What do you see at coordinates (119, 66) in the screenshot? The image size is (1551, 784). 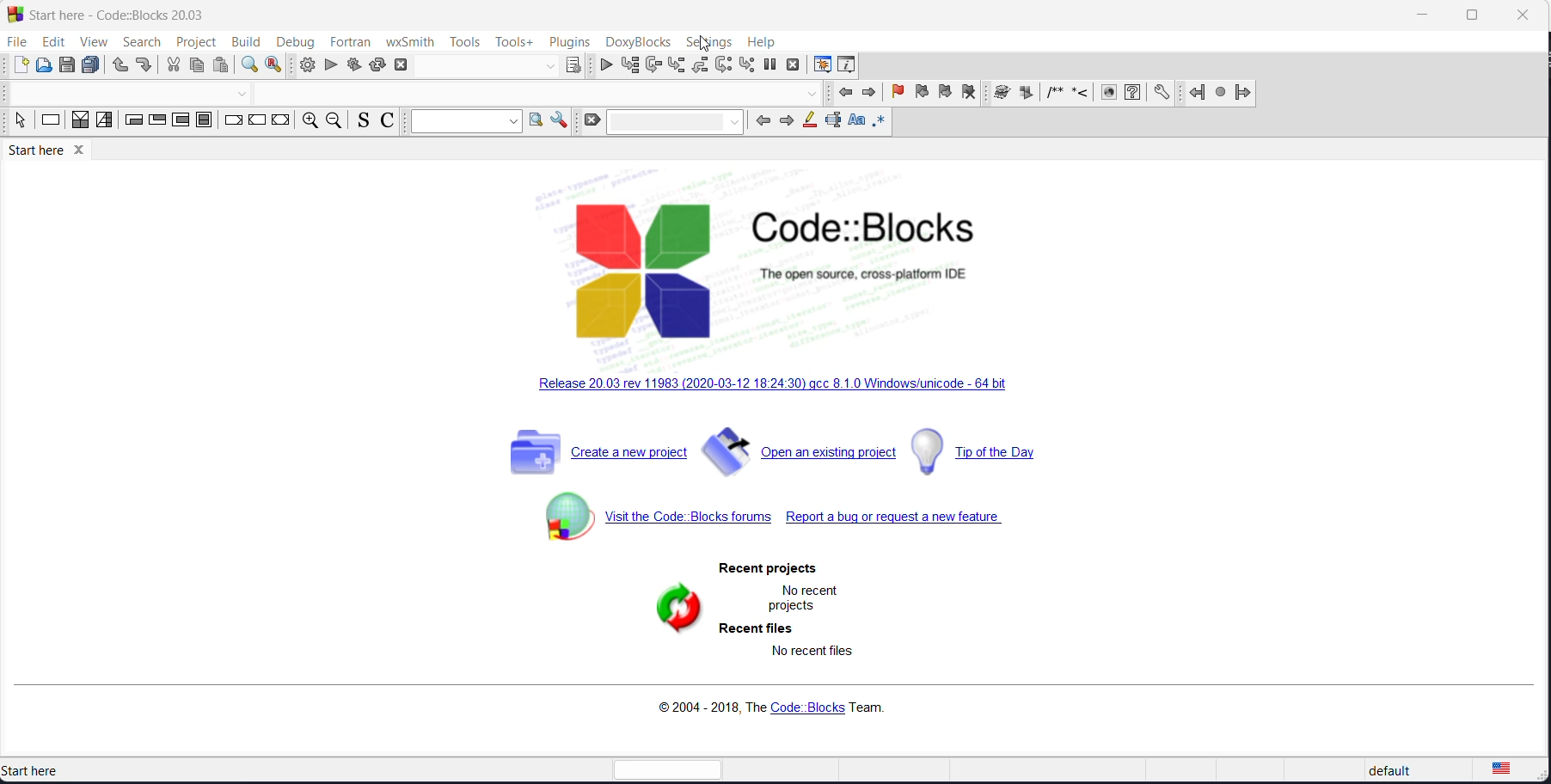 I see `undo` at bounding box center [119, 66].